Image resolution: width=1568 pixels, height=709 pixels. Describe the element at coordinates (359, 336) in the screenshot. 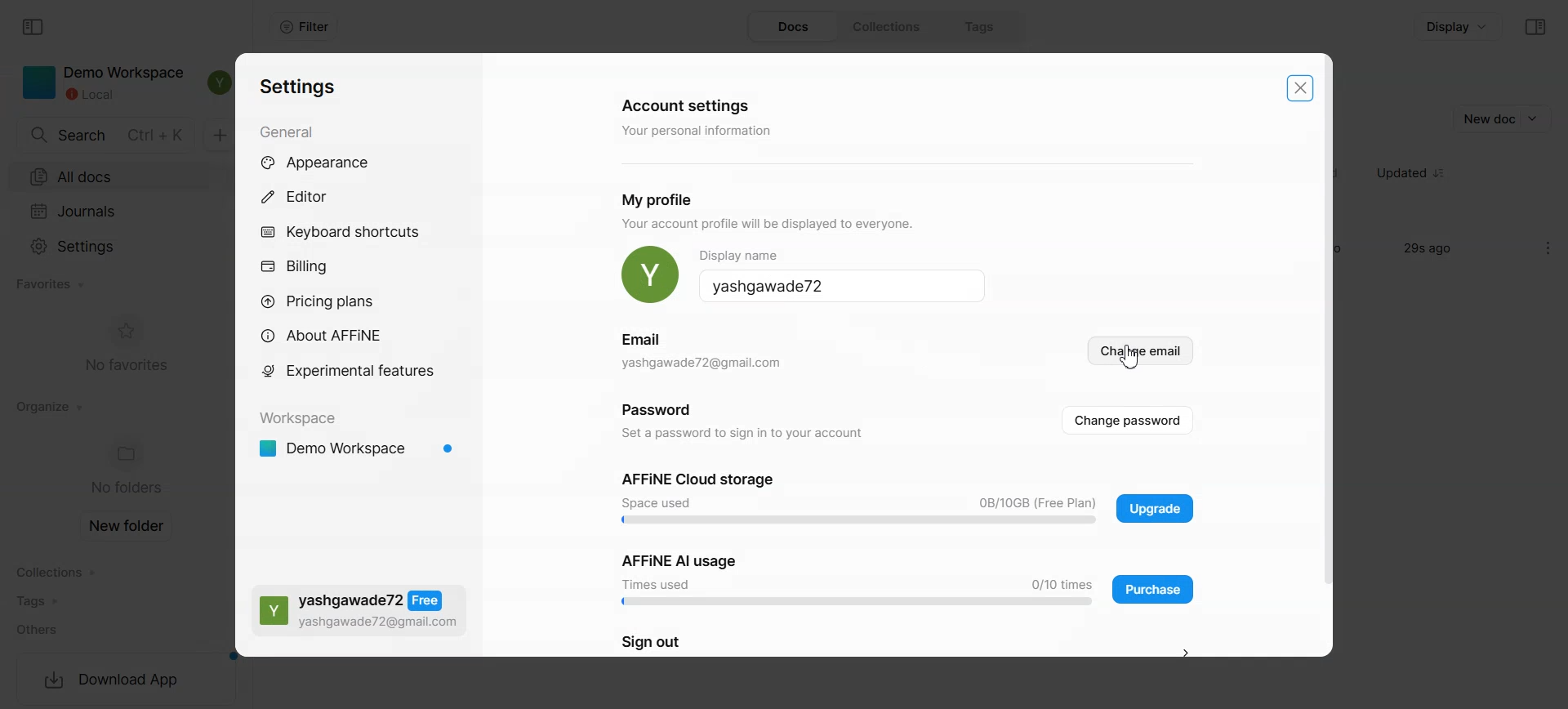

I see `About AFFiNE` at that location.